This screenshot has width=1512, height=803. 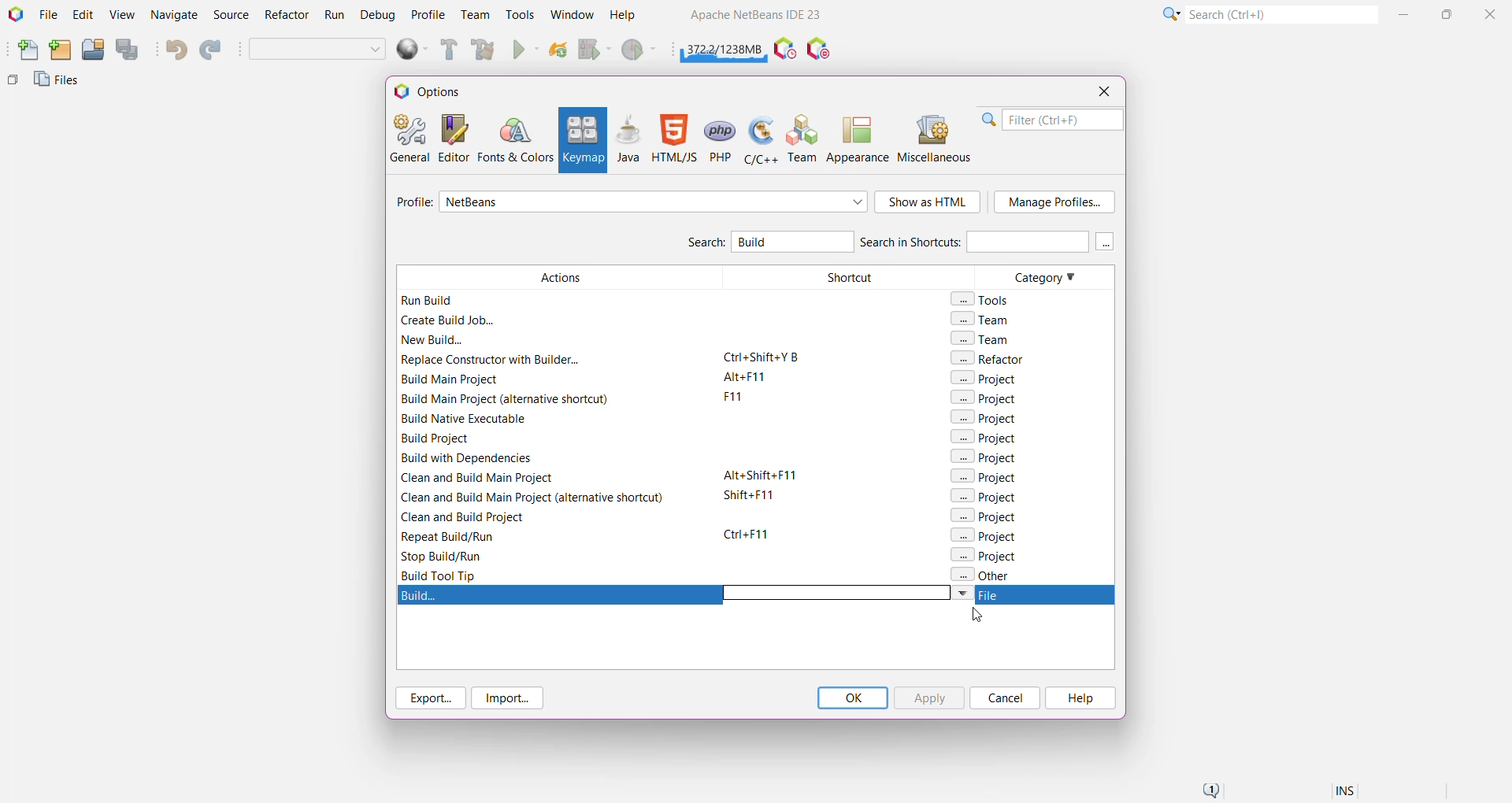 What do you see at coordinates (1030, 424) in the screenshot?
I see `Category` at bounding box center [1030, 424].